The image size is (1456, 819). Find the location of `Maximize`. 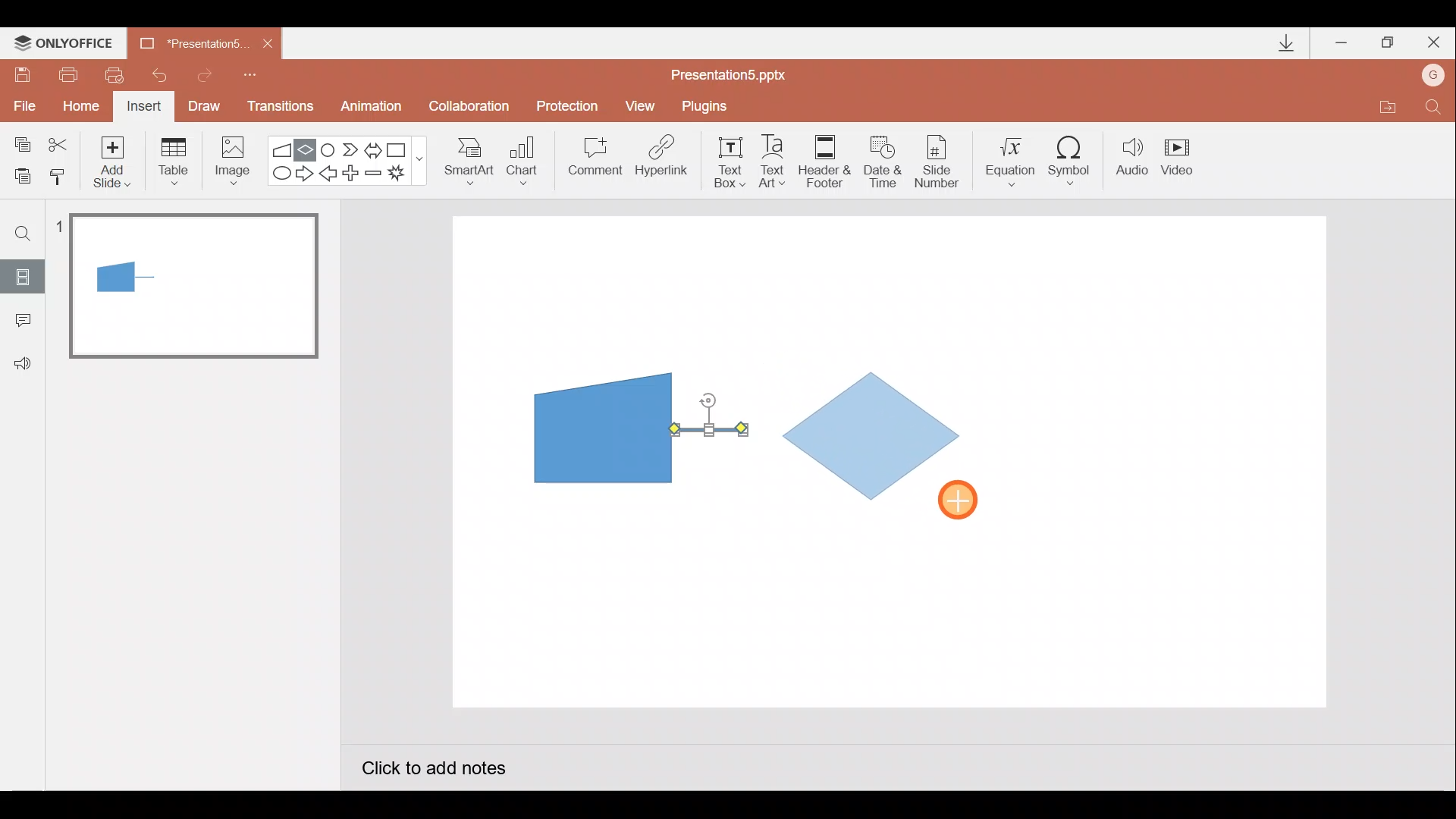

Maximize is located at coordinates (1388, 43).